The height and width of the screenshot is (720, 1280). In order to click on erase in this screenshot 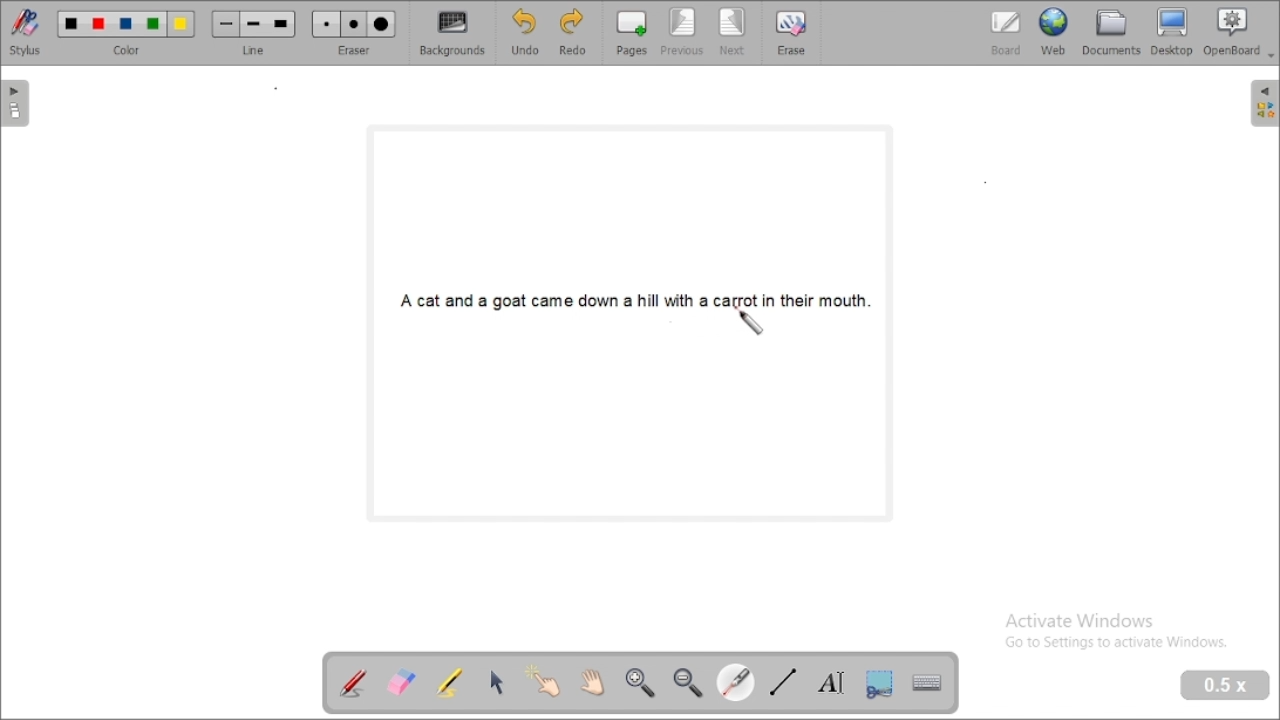, I will do `click(791, 32)`.